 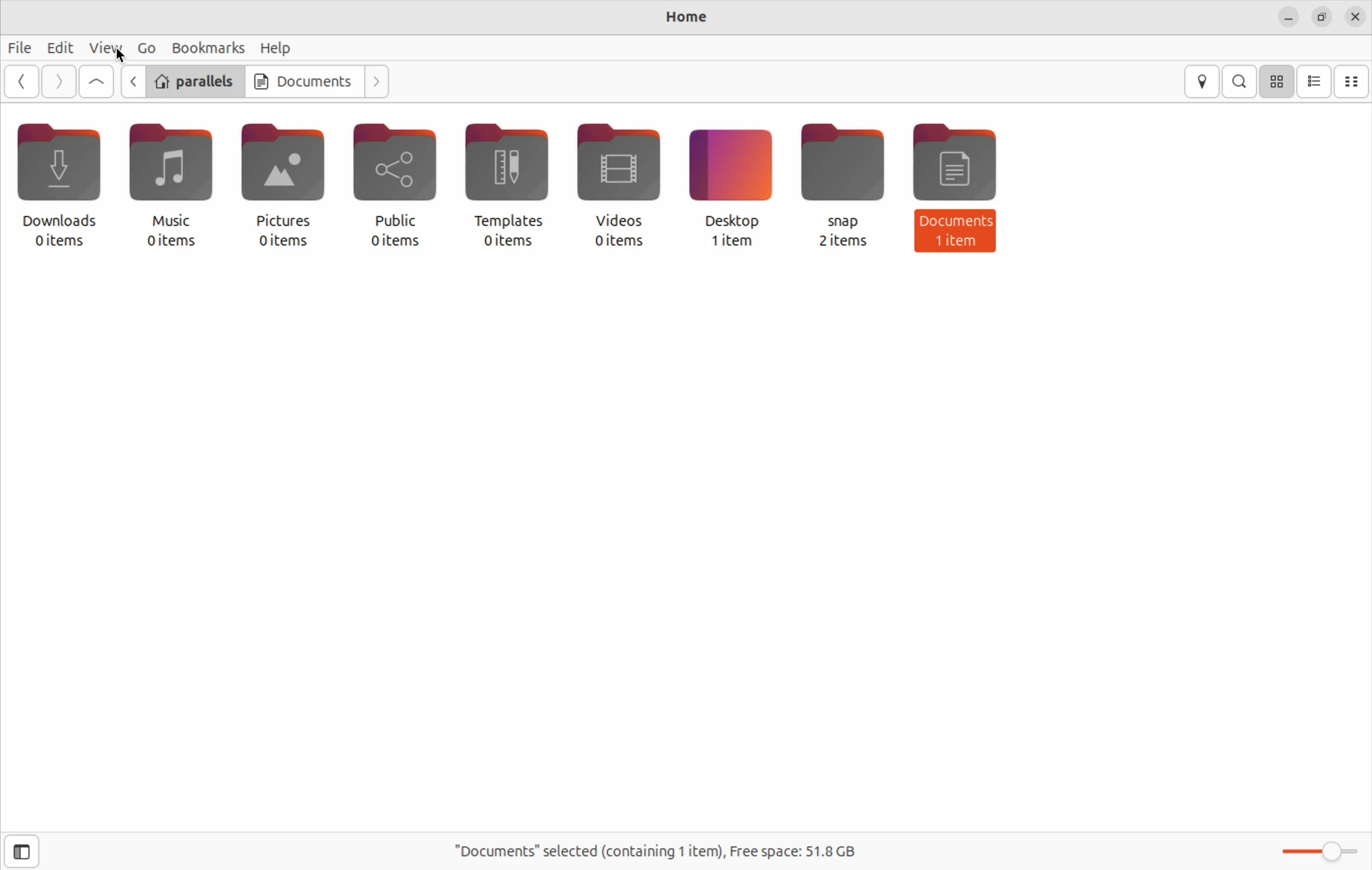 I want to click on list view, so click(x=1316, y=81).